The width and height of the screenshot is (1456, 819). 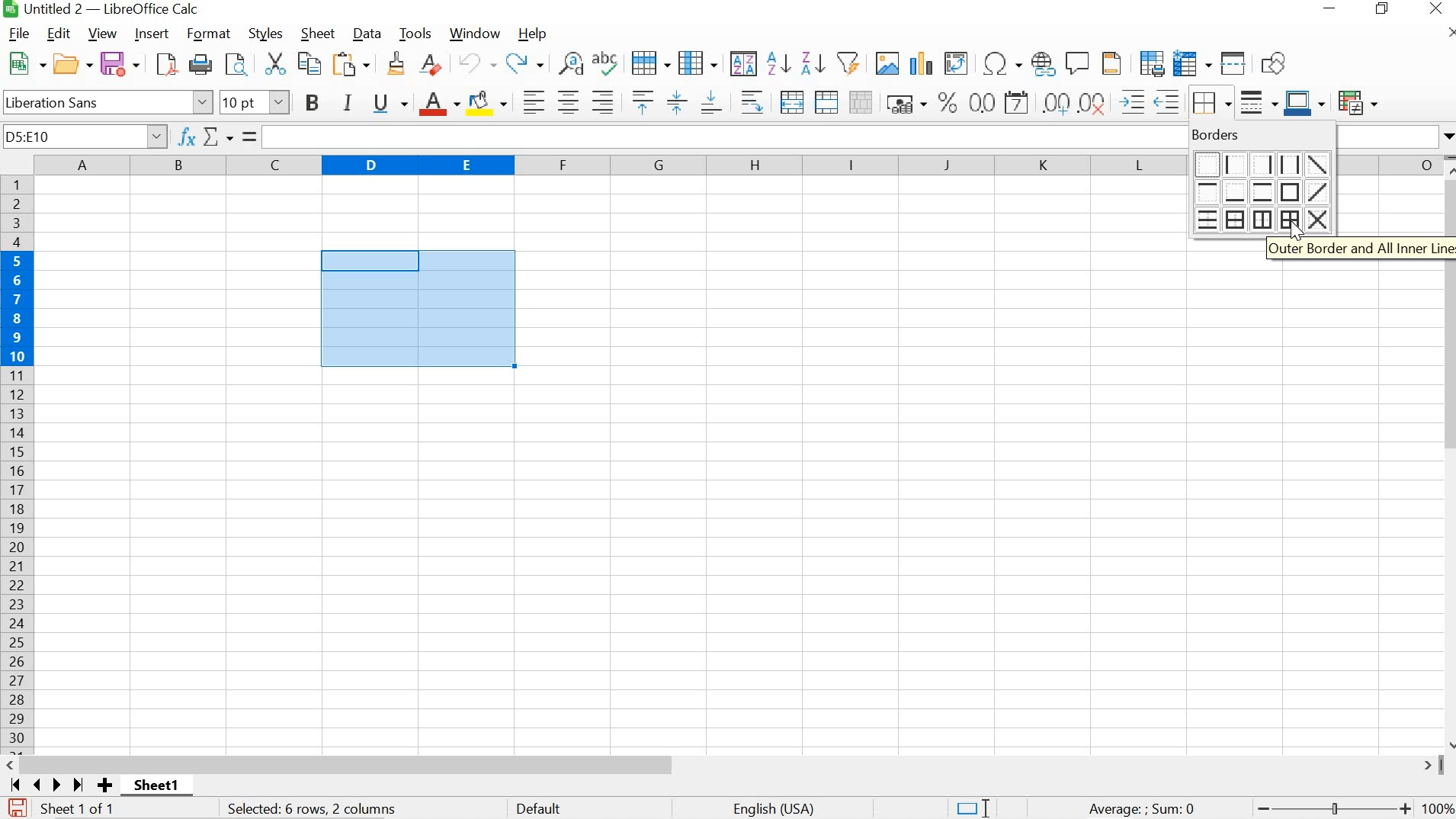 What do you see at coordinates (651, 64) in the screenshot?
I see `ROW` at bounding box center [651, 64].